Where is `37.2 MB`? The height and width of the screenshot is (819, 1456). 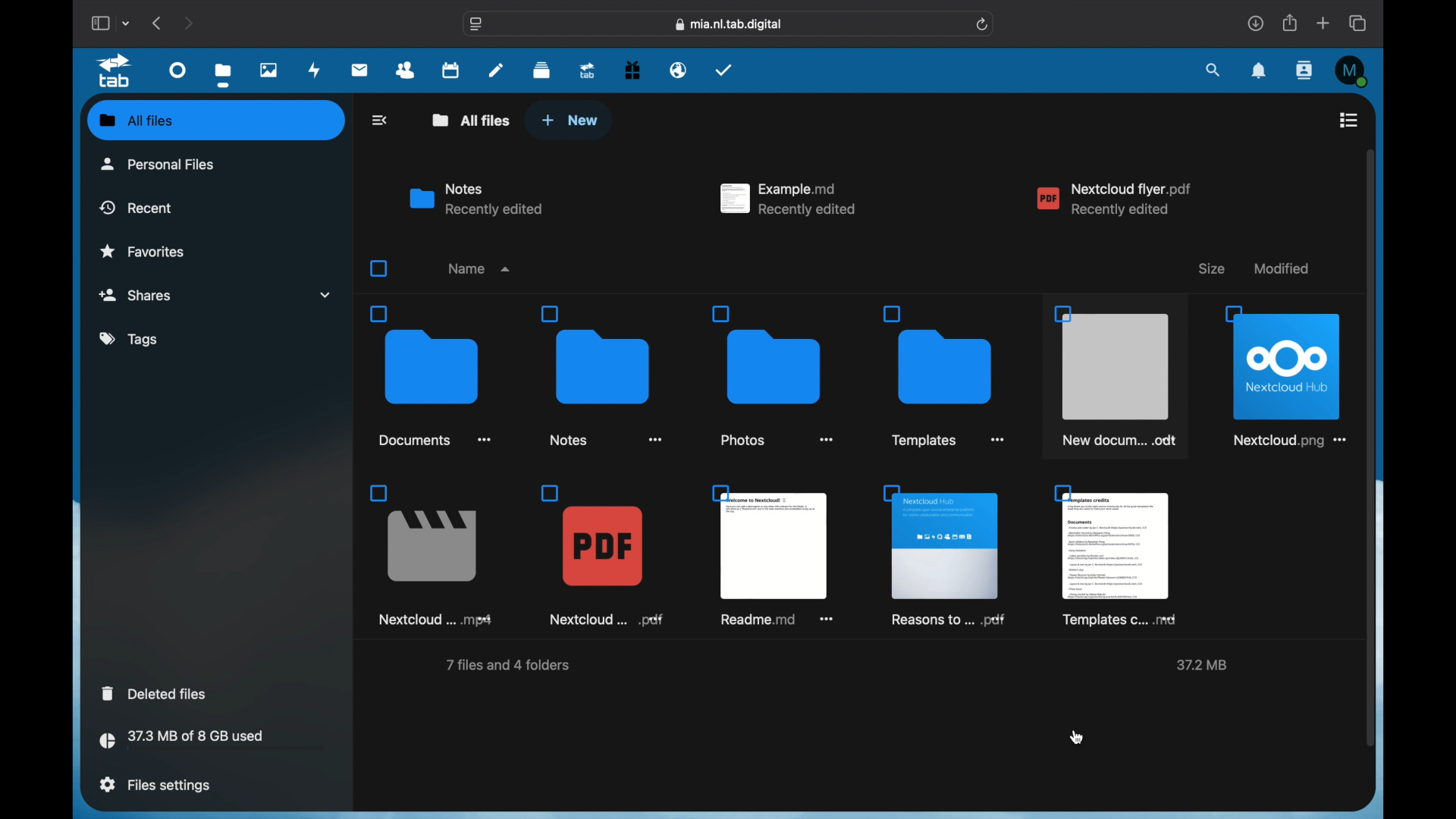
37.2 MB is located at coordinates (1205, 664).